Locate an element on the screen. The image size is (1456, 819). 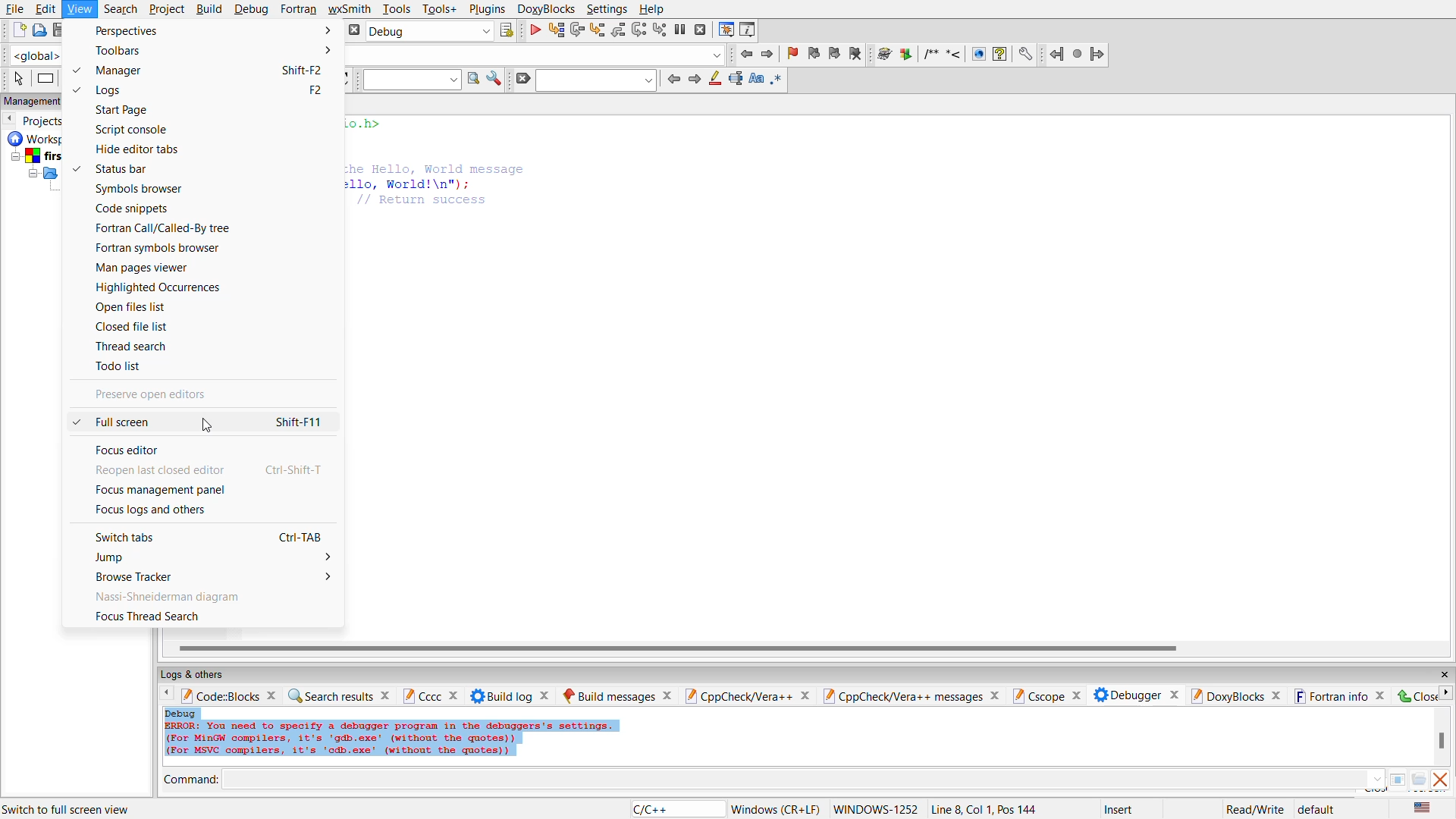
highlight is located at coordinates (717, 80).